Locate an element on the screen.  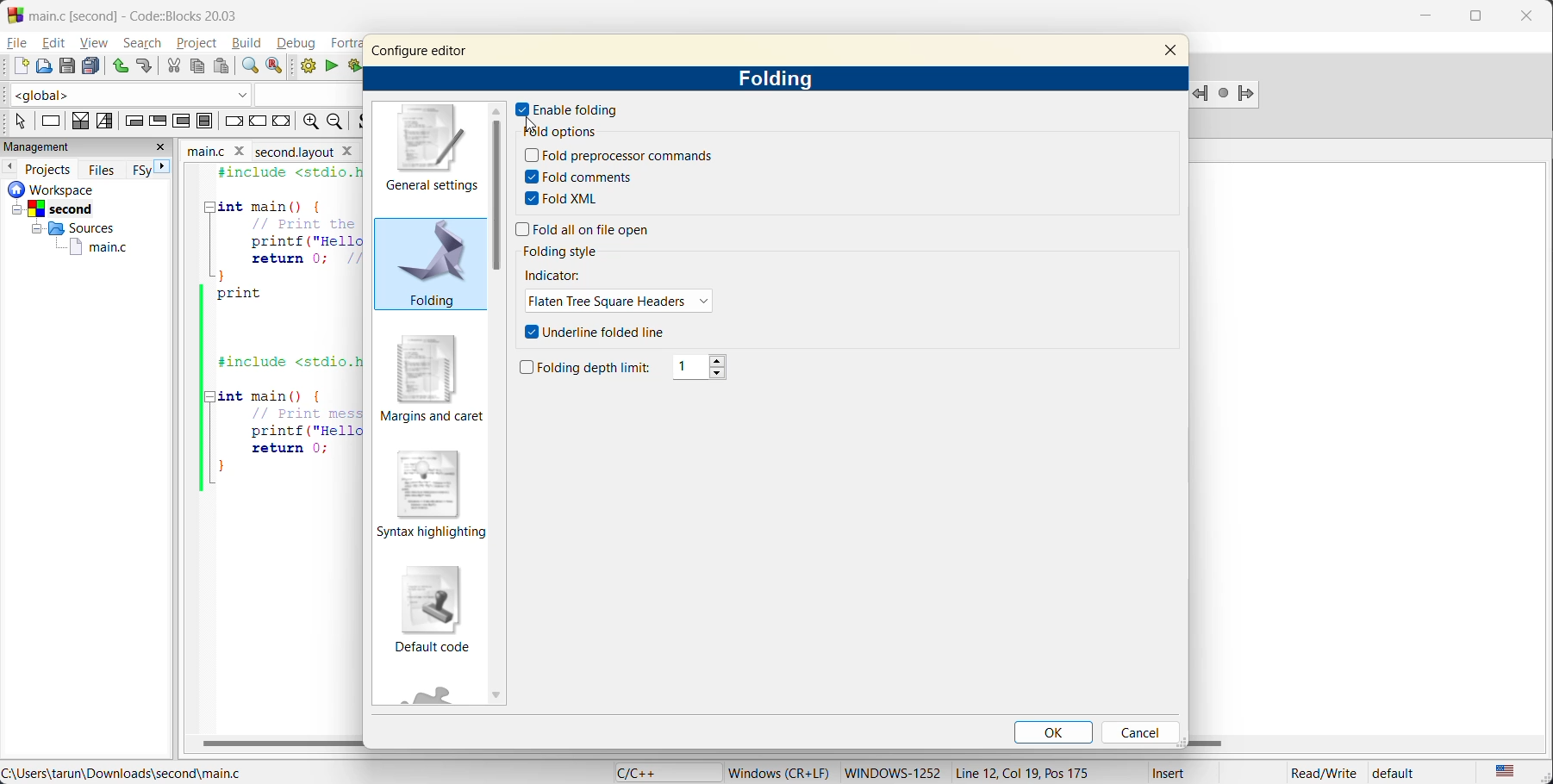
vertical scroll bar is located at coordinates (499, 195).